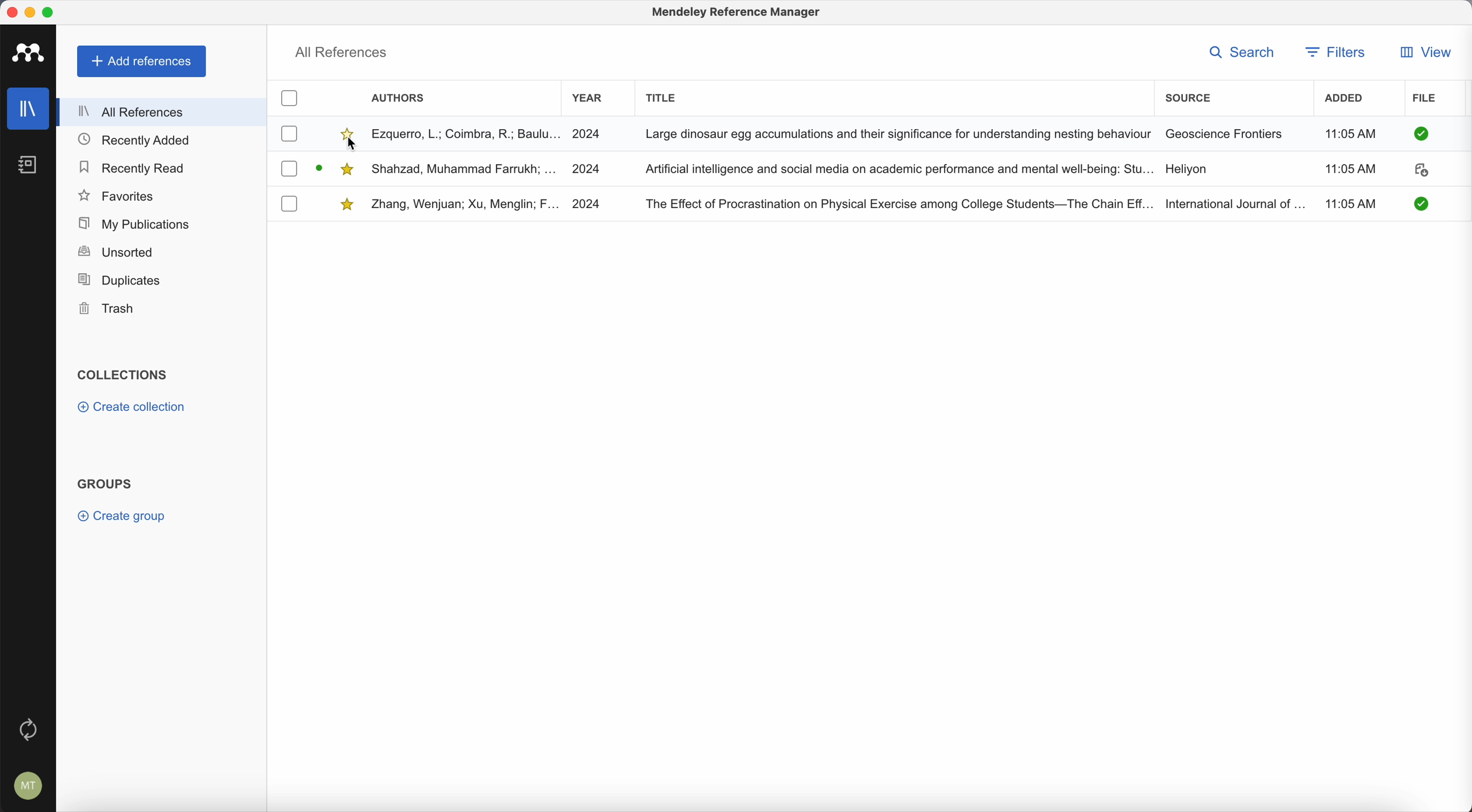 This screenshot has width=1472, height=812. Describe the element at coordinates (348, 203) in the screenshot. I see `favorite` at that location.